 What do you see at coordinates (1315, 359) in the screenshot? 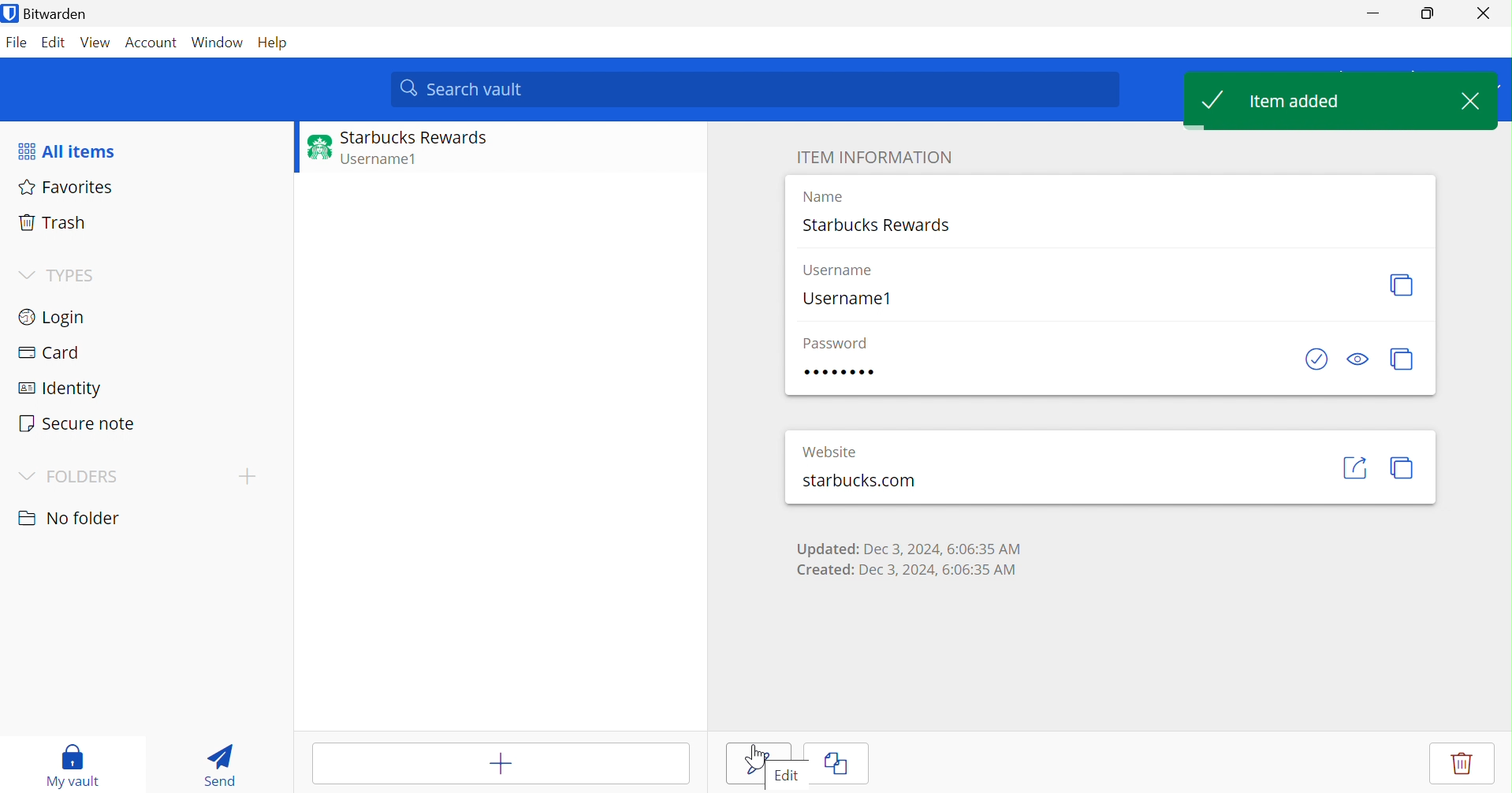
I see `Check if password has been exposed` at bounding box center [1315, 359].